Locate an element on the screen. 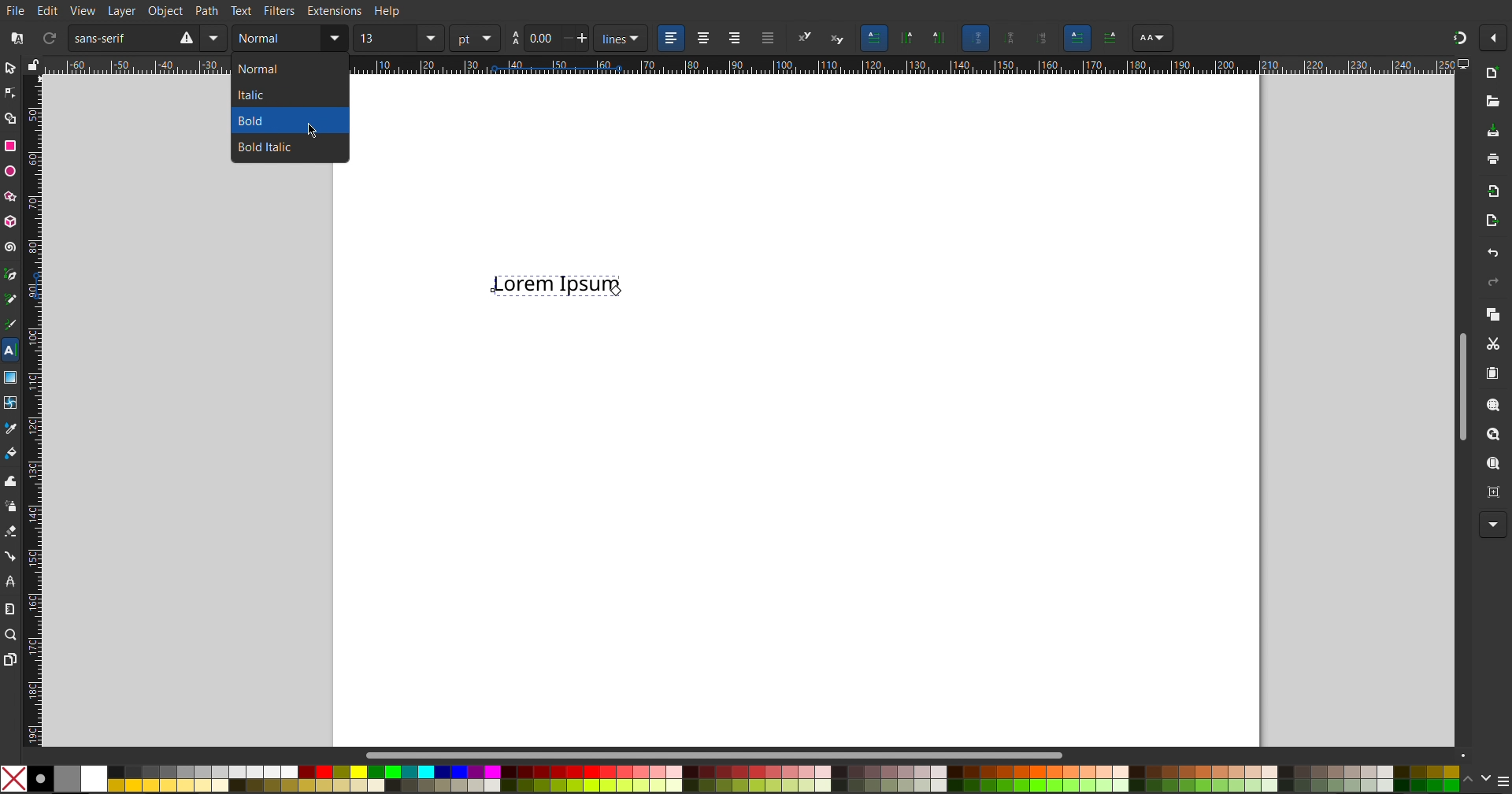 The height and width of the screenshot is (794, 1512). Filters is located at coordinates (281, 11).